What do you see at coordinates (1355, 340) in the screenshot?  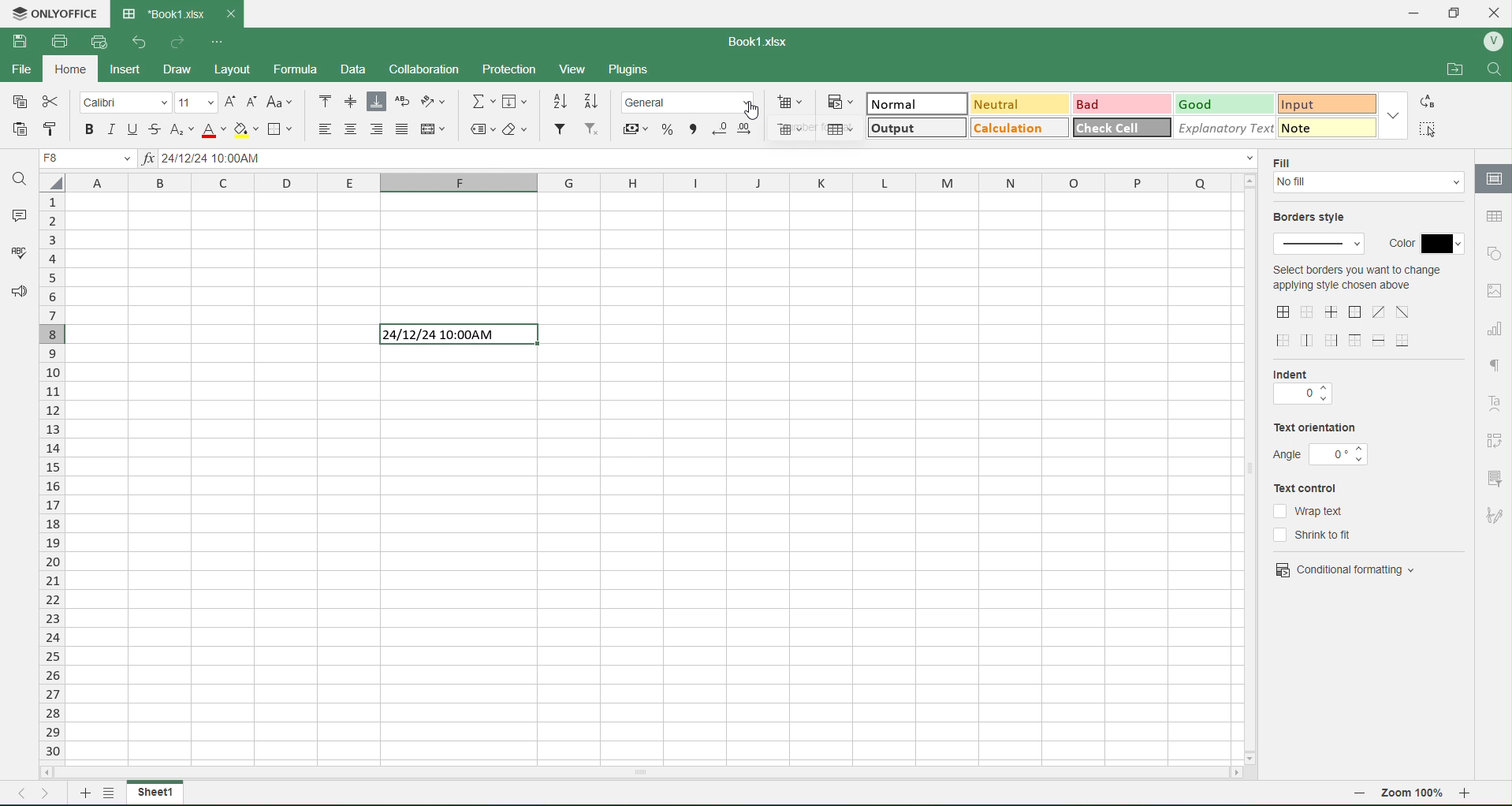 I see `top border` at bounding box center [1355, 340].